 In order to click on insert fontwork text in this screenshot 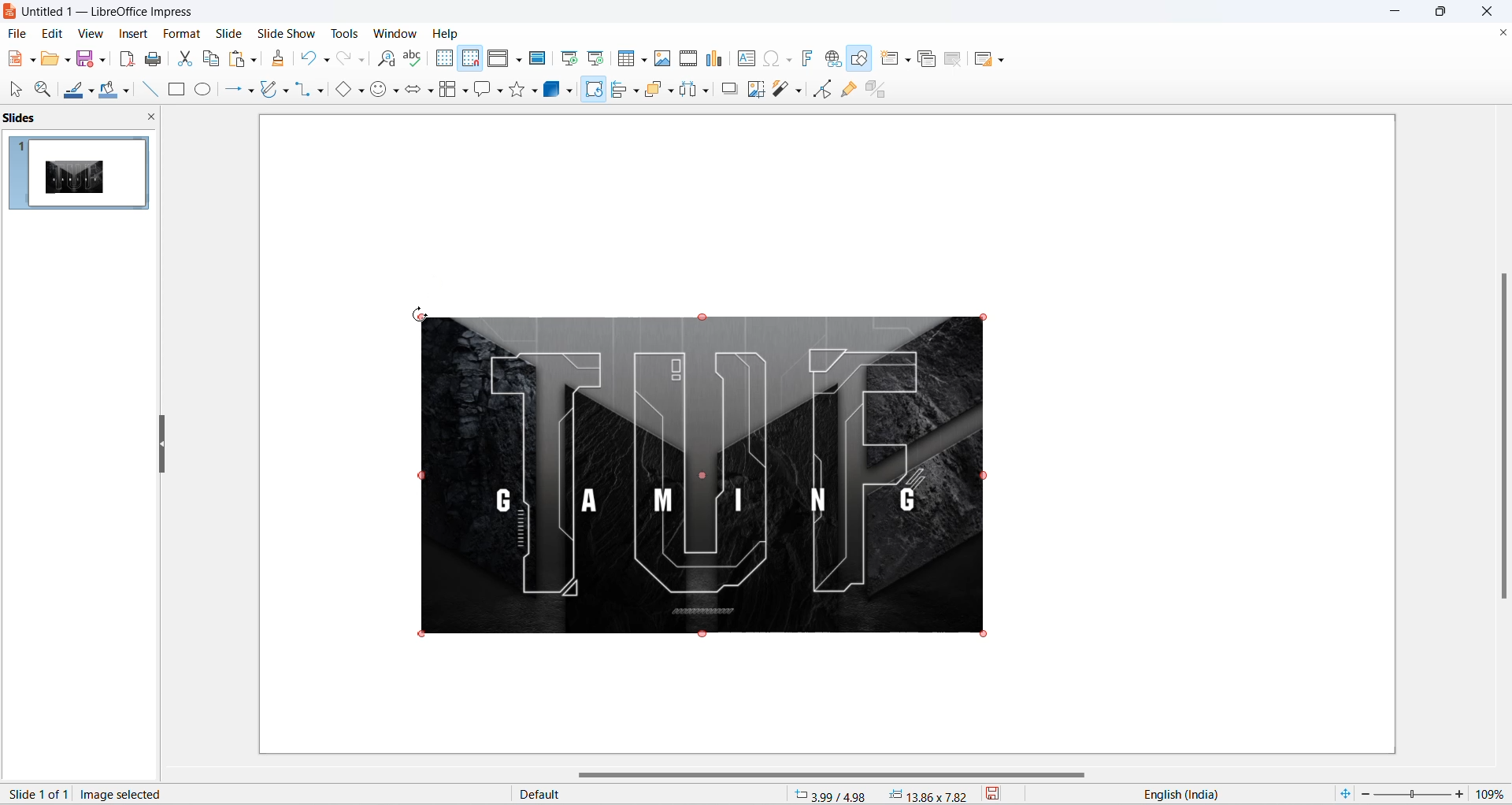, I will do `click(806, 57)`.